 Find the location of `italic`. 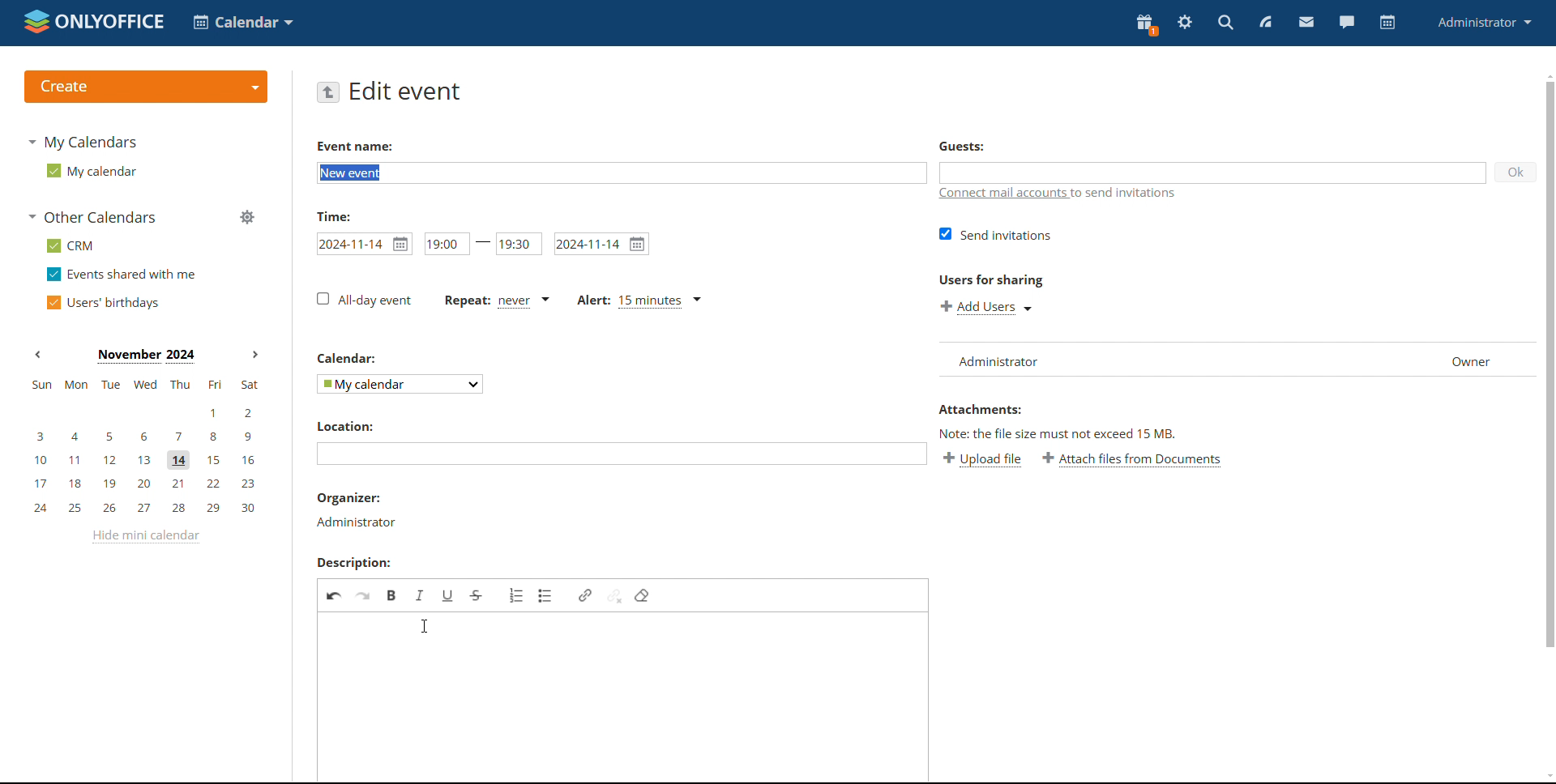

italic is located at coordinates (421, 594).